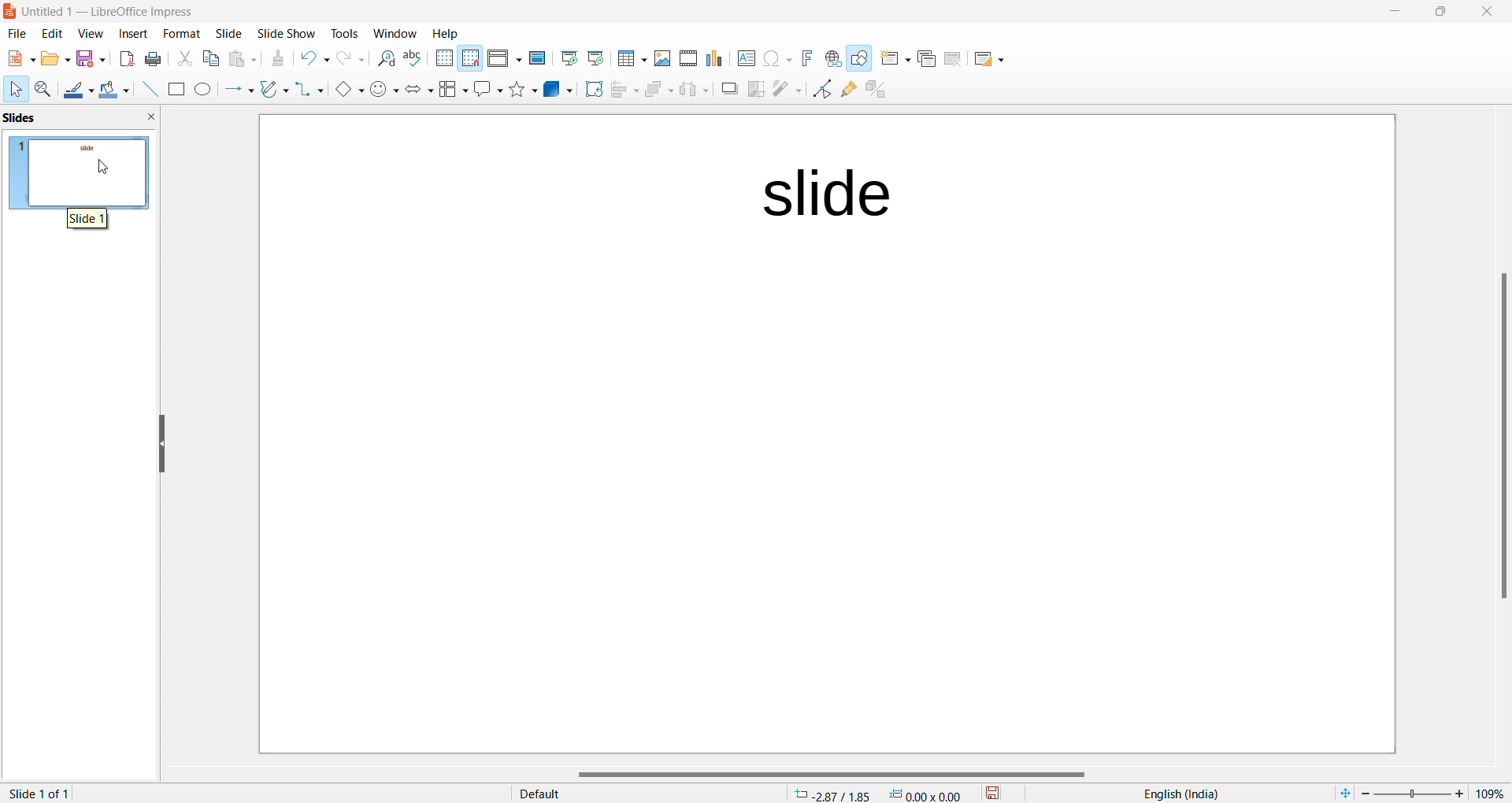 Image resolution: width=1512 pixels, height=803 pixels. Describe the element at coordinates (537, 58) in the screenshot. I see `Master slide` at that location.